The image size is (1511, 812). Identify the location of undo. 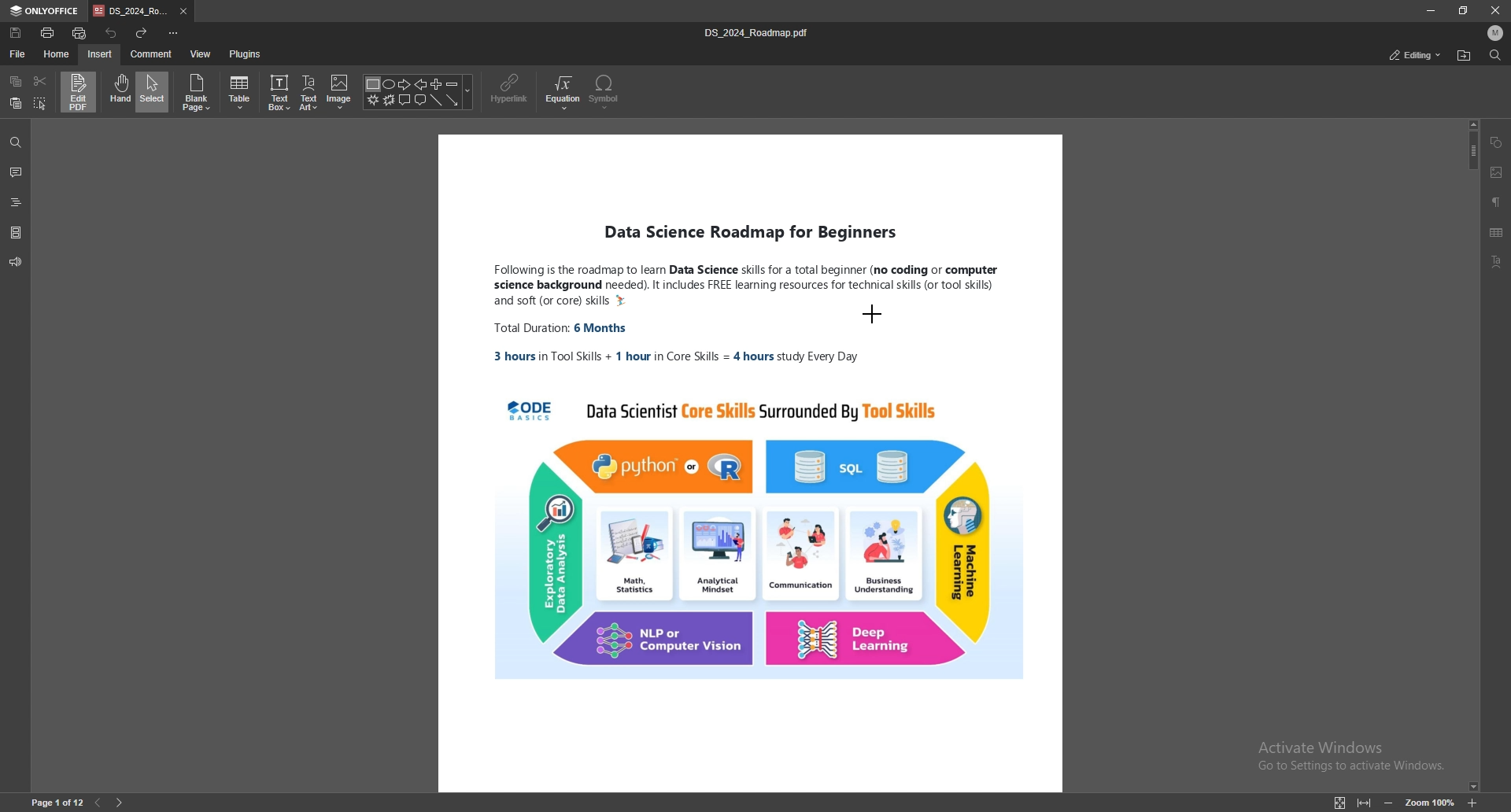
(112, 31).